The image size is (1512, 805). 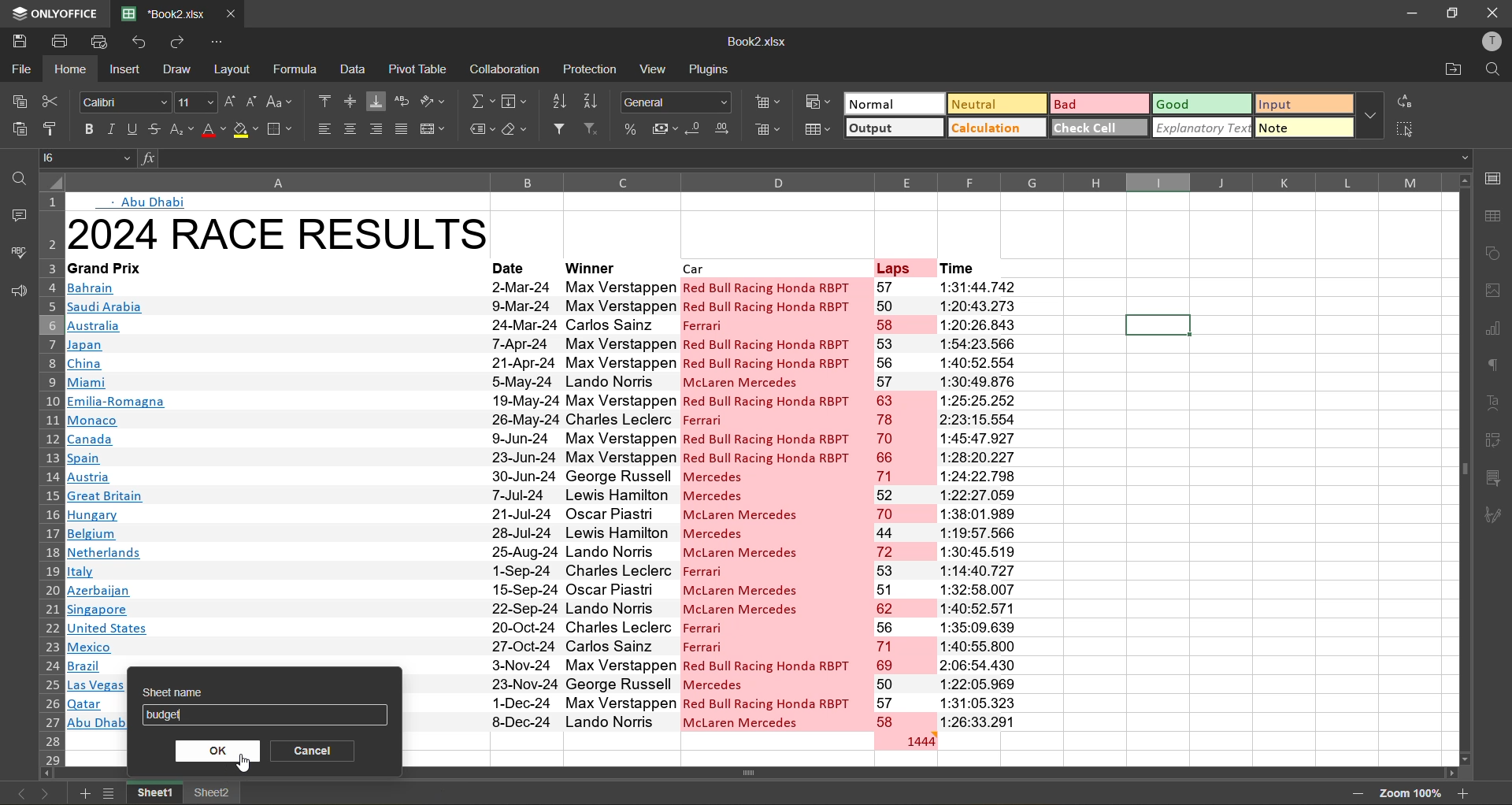 I want to click on maximize, so click(x=1450, y=13).